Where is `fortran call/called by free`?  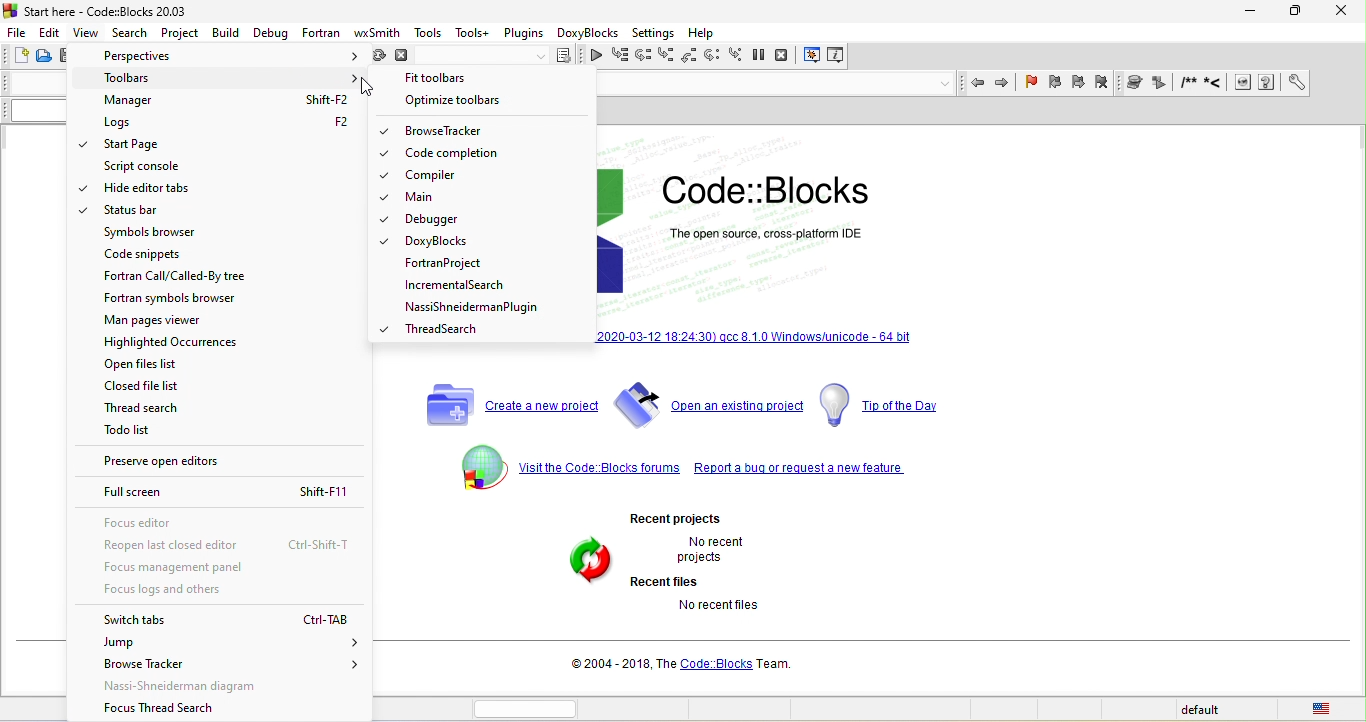 fortran call/called by free is located at coordinates (177, 276).